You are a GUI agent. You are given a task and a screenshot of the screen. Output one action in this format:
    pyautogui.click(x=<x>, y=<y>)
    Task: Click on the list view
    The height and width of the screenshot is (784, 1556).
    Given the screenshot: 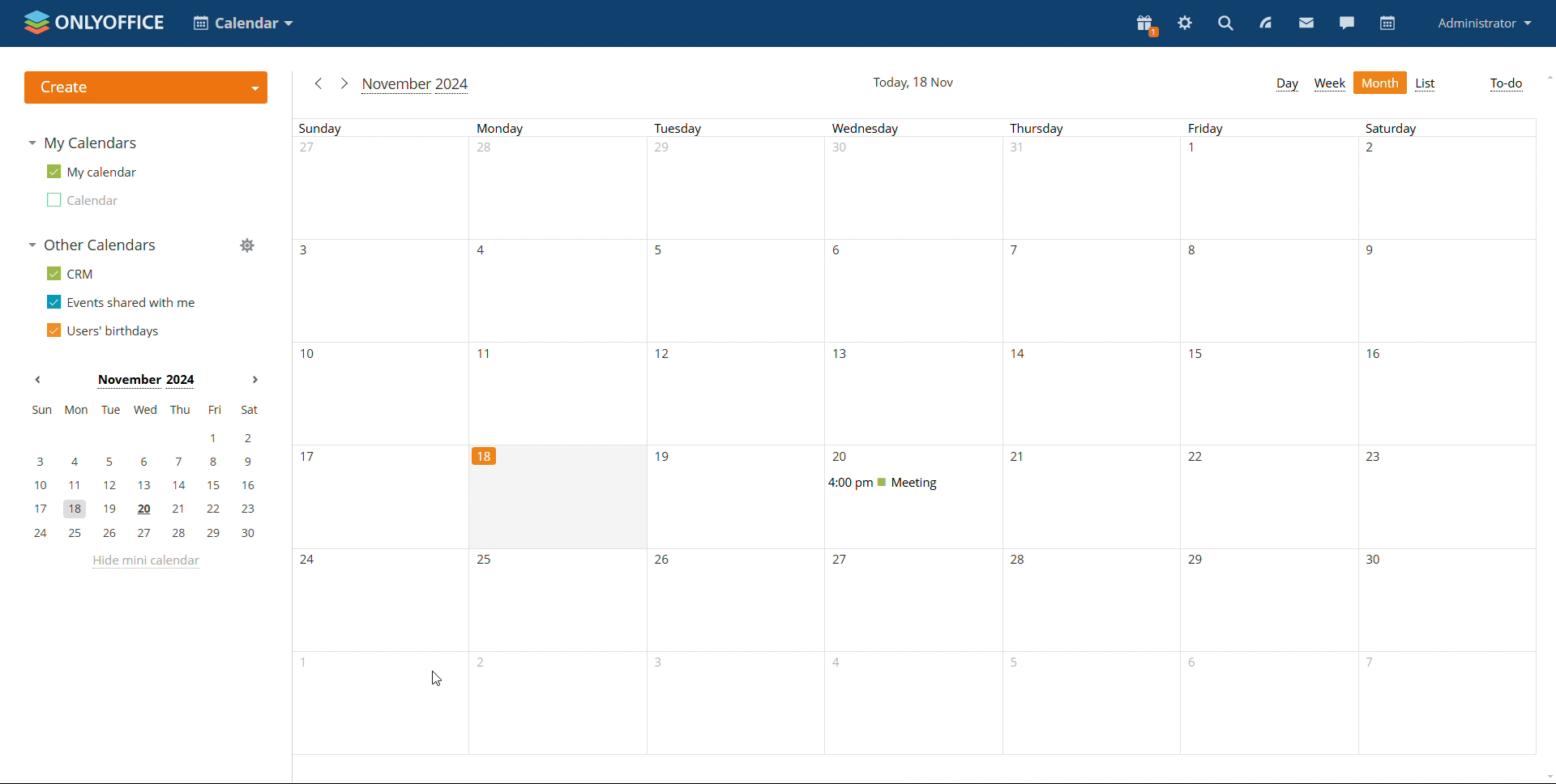 What is the action you would take?
    pyautogui.click(x=1427, y=84)
    